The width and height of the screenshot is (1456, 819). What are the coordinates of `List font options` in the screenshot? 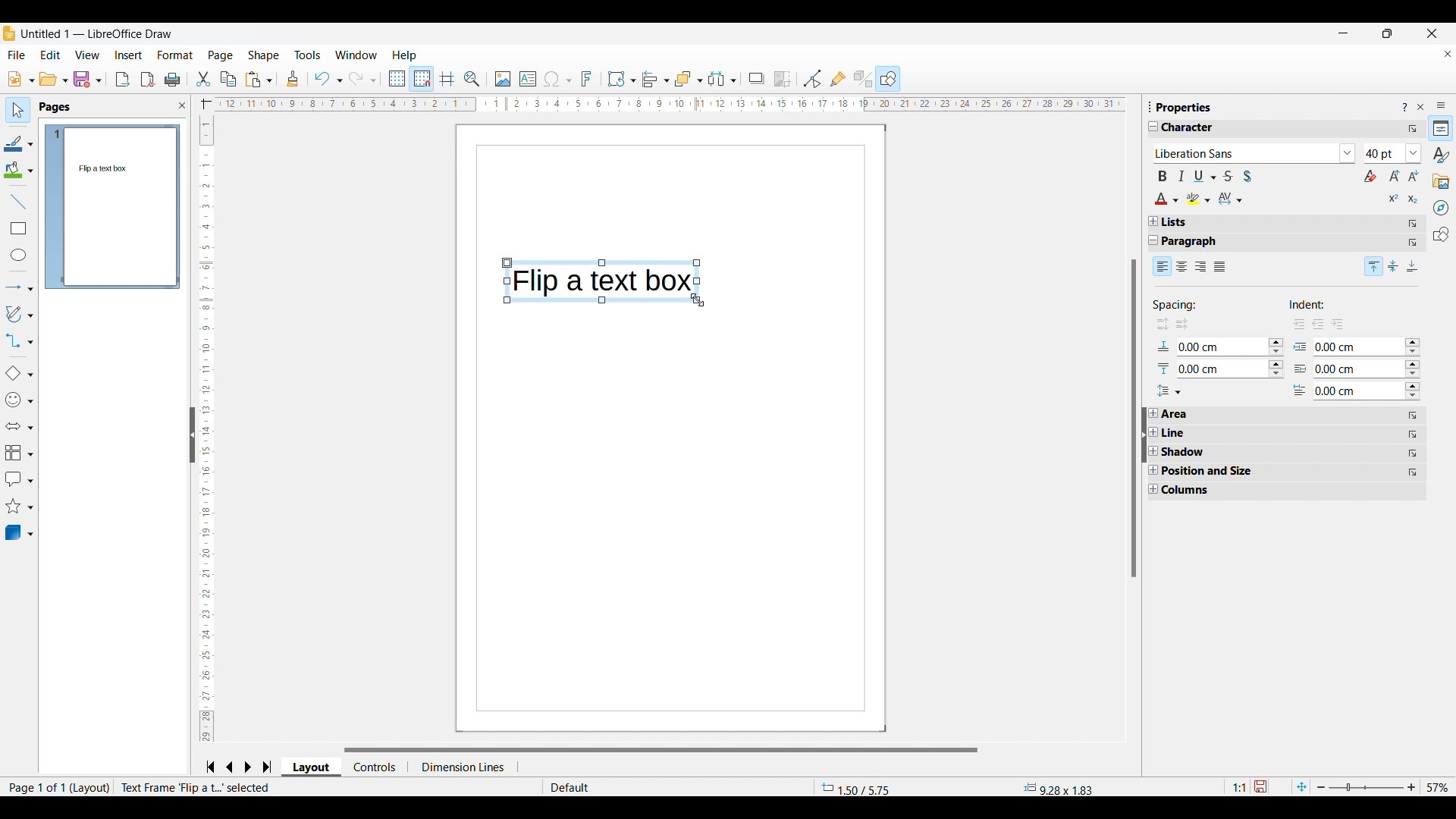 It's located at (1348, 153).